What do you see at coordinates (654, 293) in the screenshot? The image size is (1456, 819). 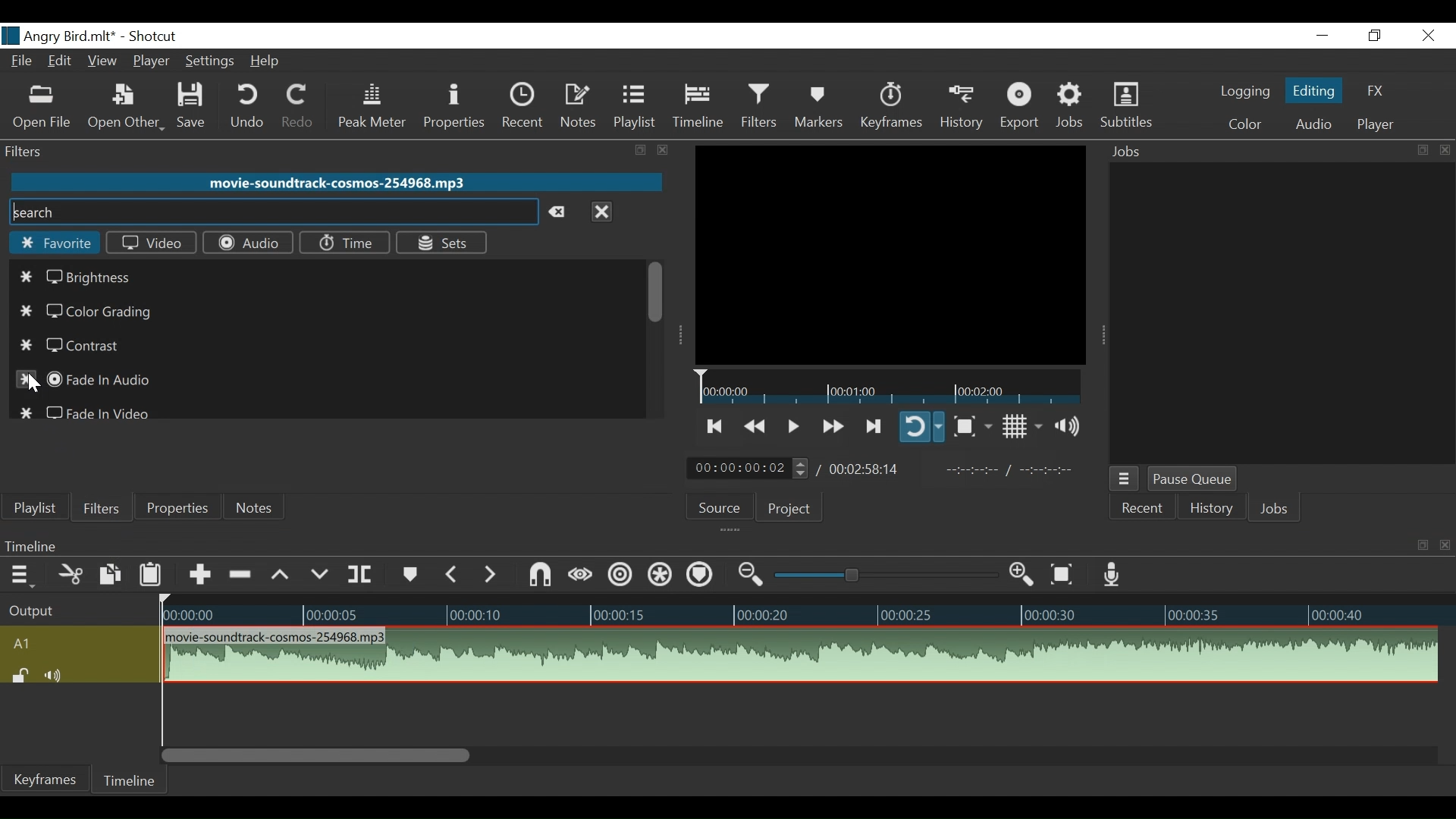 I see `Vertical Scroll bar` at bounding box center [654, 293].